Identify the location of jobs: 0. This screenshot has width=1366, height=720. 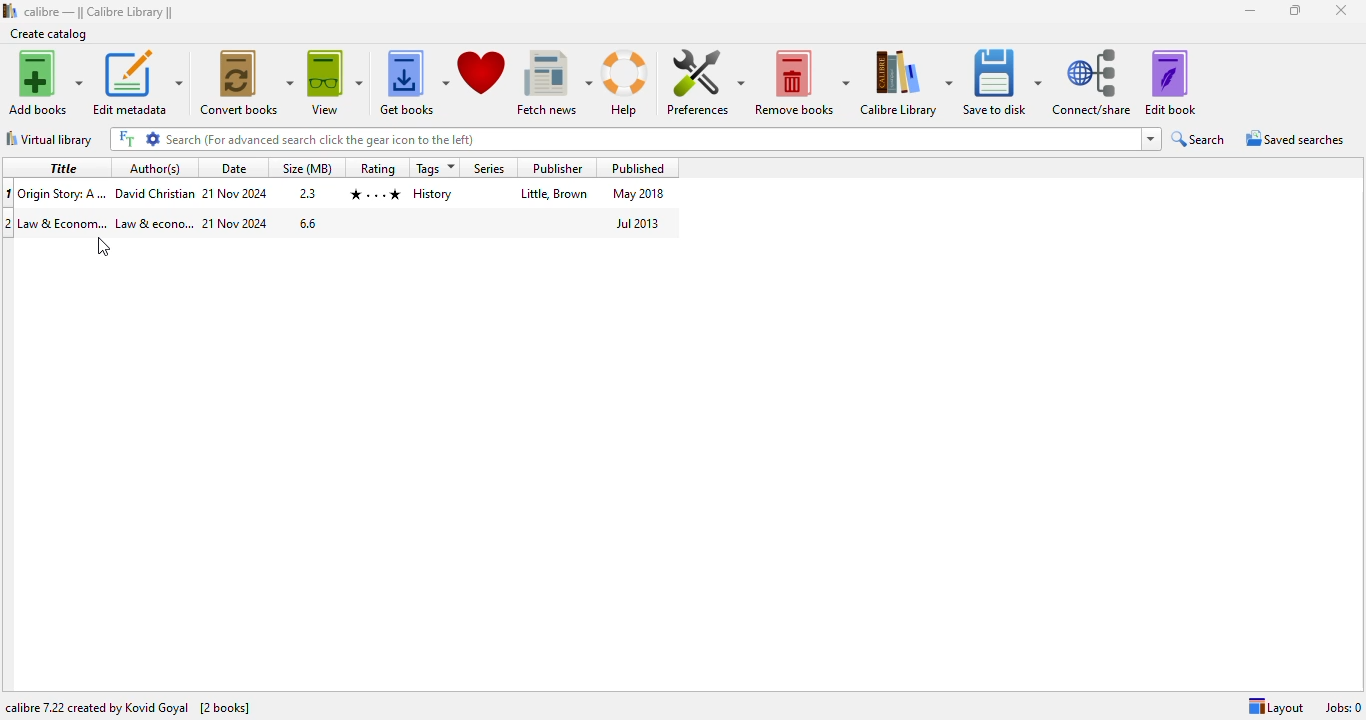
(1343, 707).